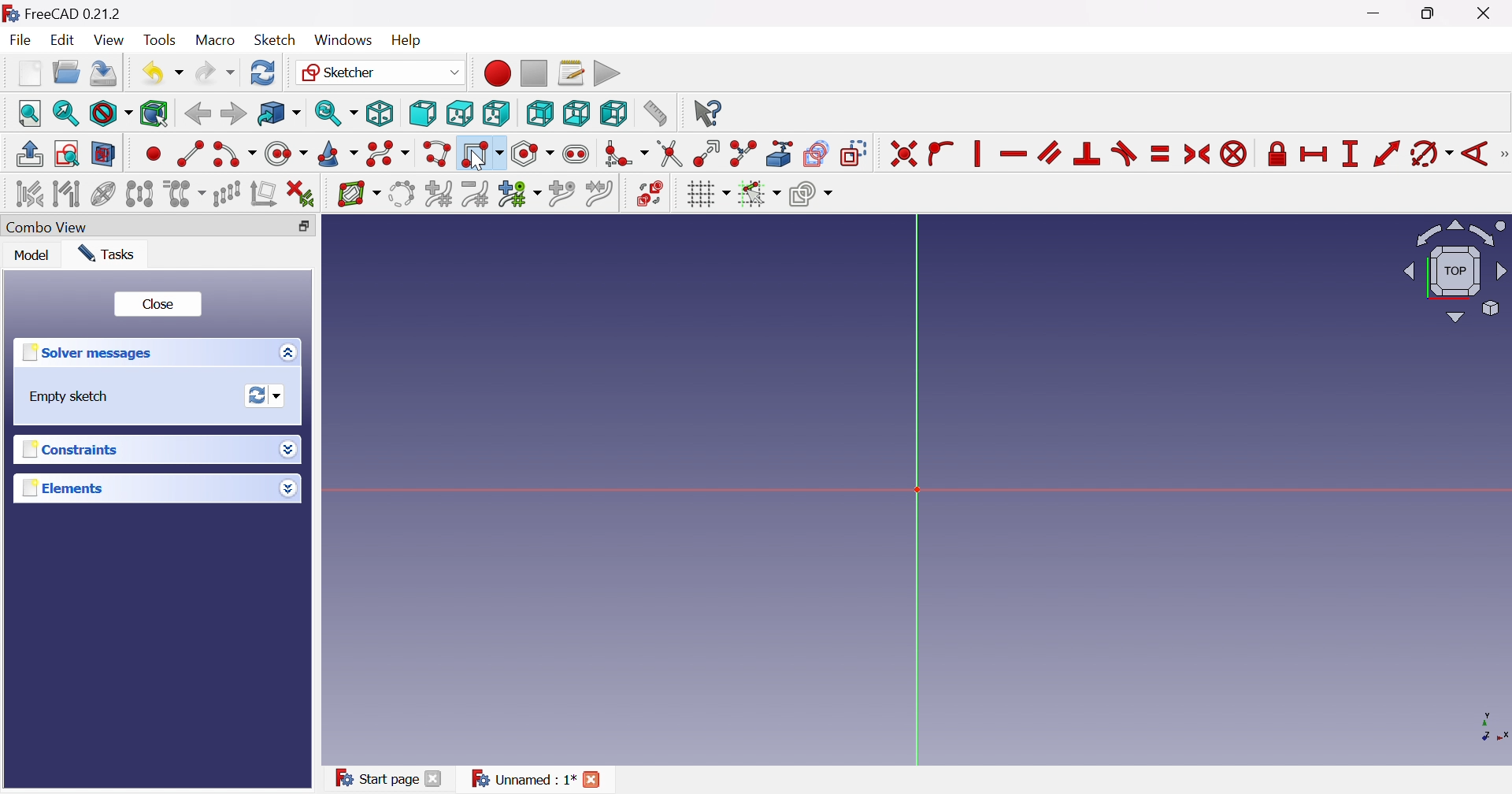  Describe the element at coordinates (477, 194) in the screenshot. I see `Decrease B-spline degree` at that location.